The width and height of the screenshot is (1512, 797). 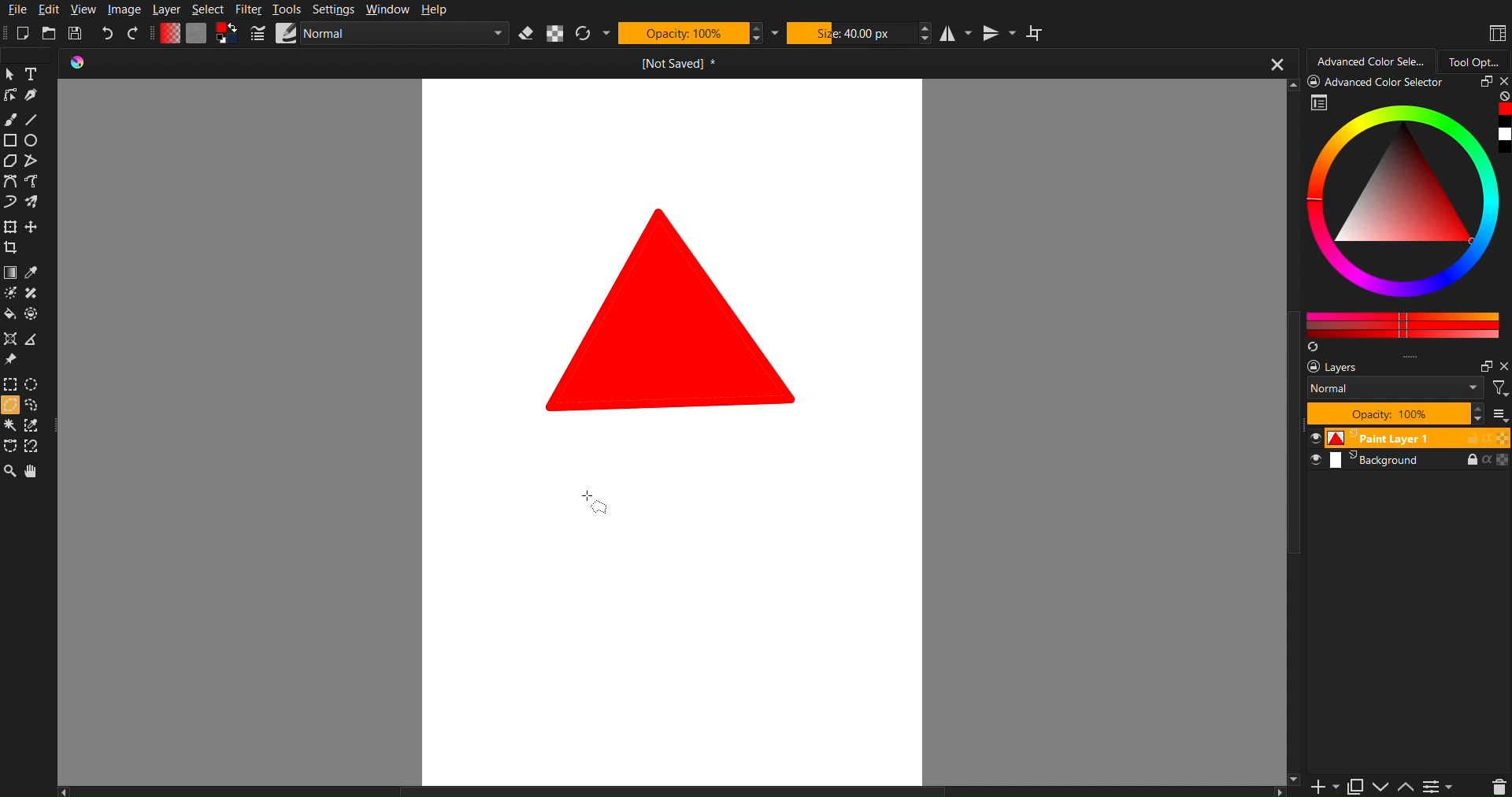 I want to click on Dropper, so click(x=32, y=274).